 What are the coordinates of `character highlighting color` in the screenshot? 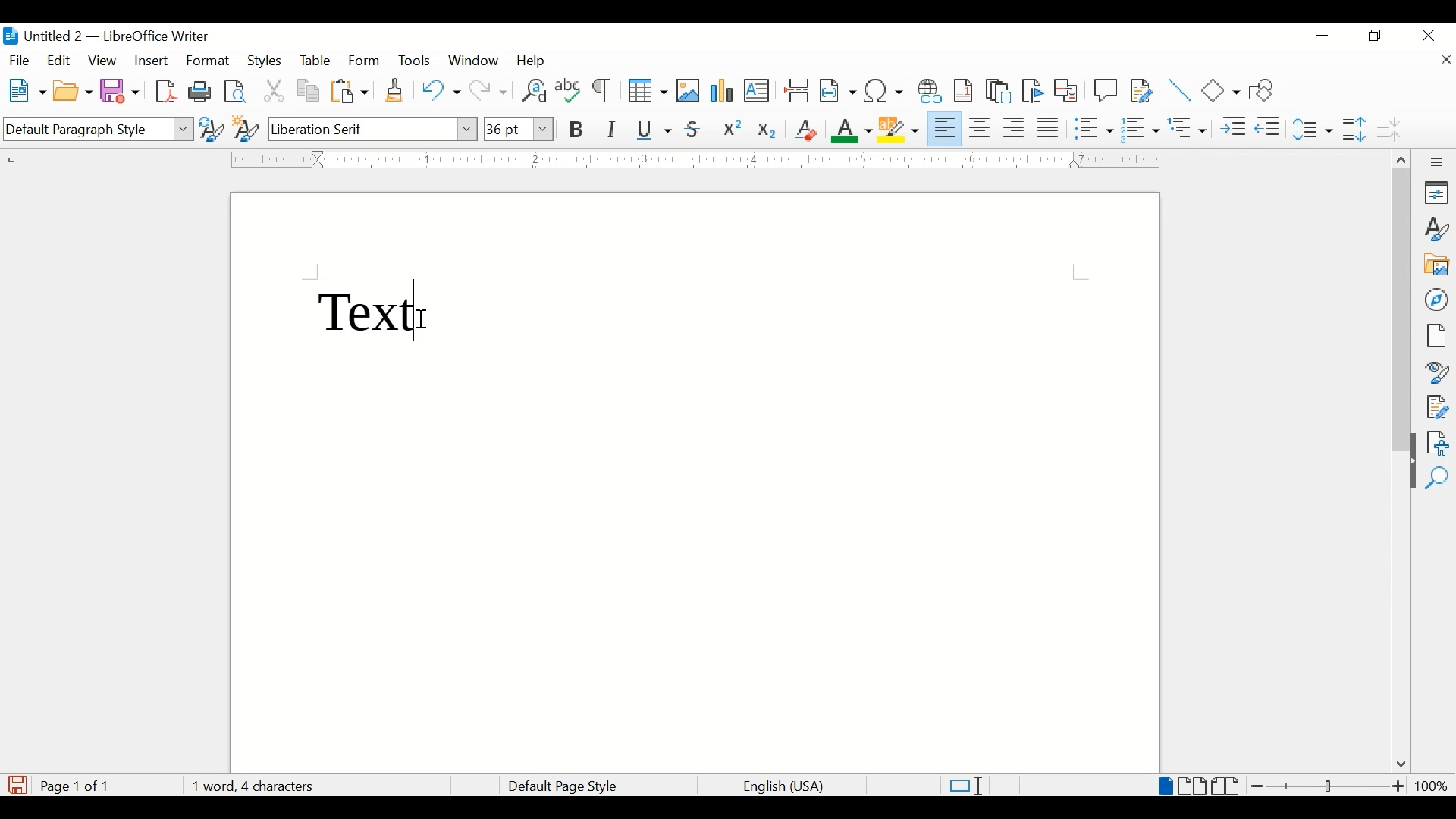 It's located at (900, 128).